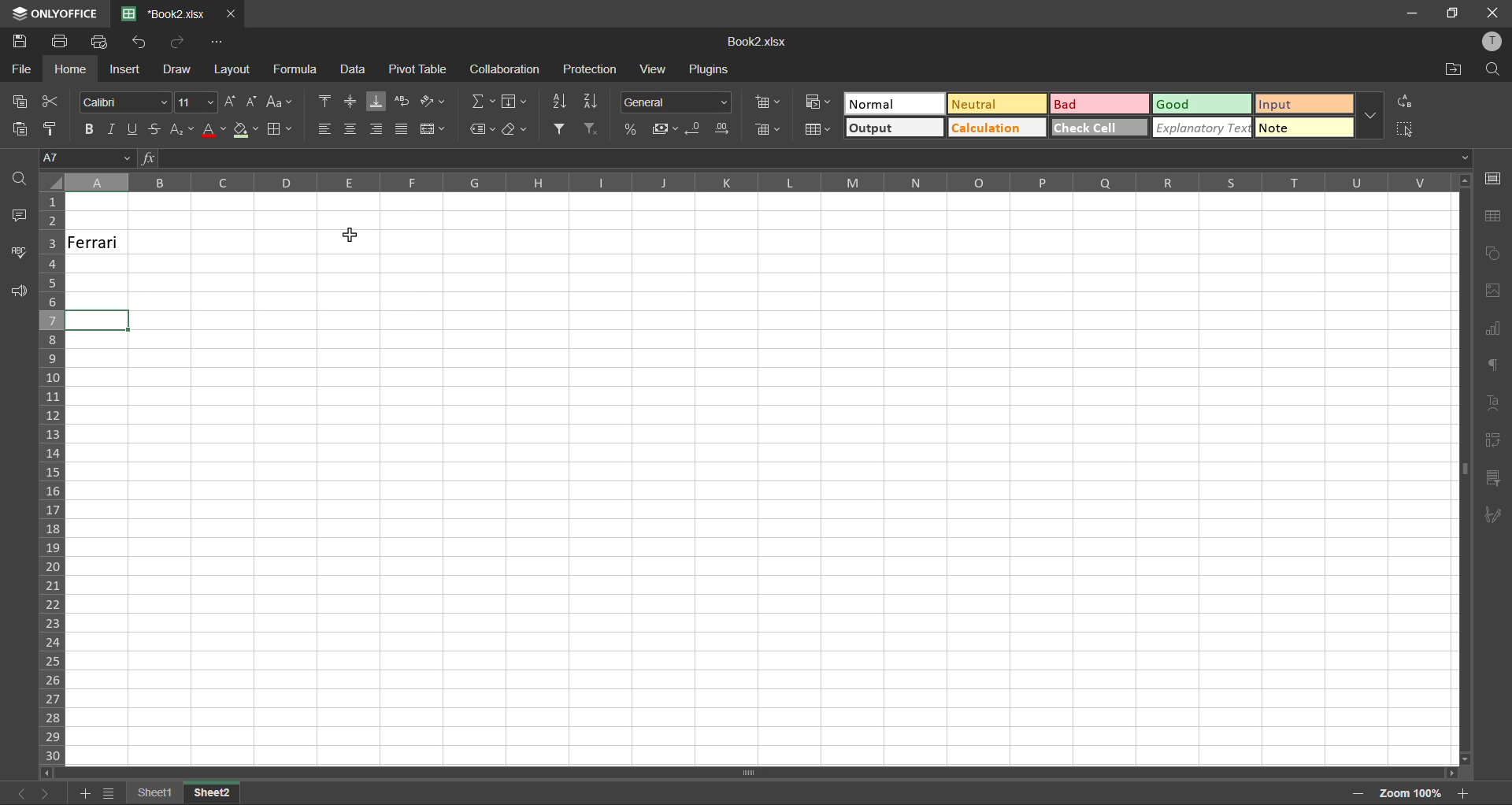 Image resolution: width=1512 pixels, height=805 pixels. Describe the element at coordinates (56, 477) in the screenshot. I see `row numbers` at that location.